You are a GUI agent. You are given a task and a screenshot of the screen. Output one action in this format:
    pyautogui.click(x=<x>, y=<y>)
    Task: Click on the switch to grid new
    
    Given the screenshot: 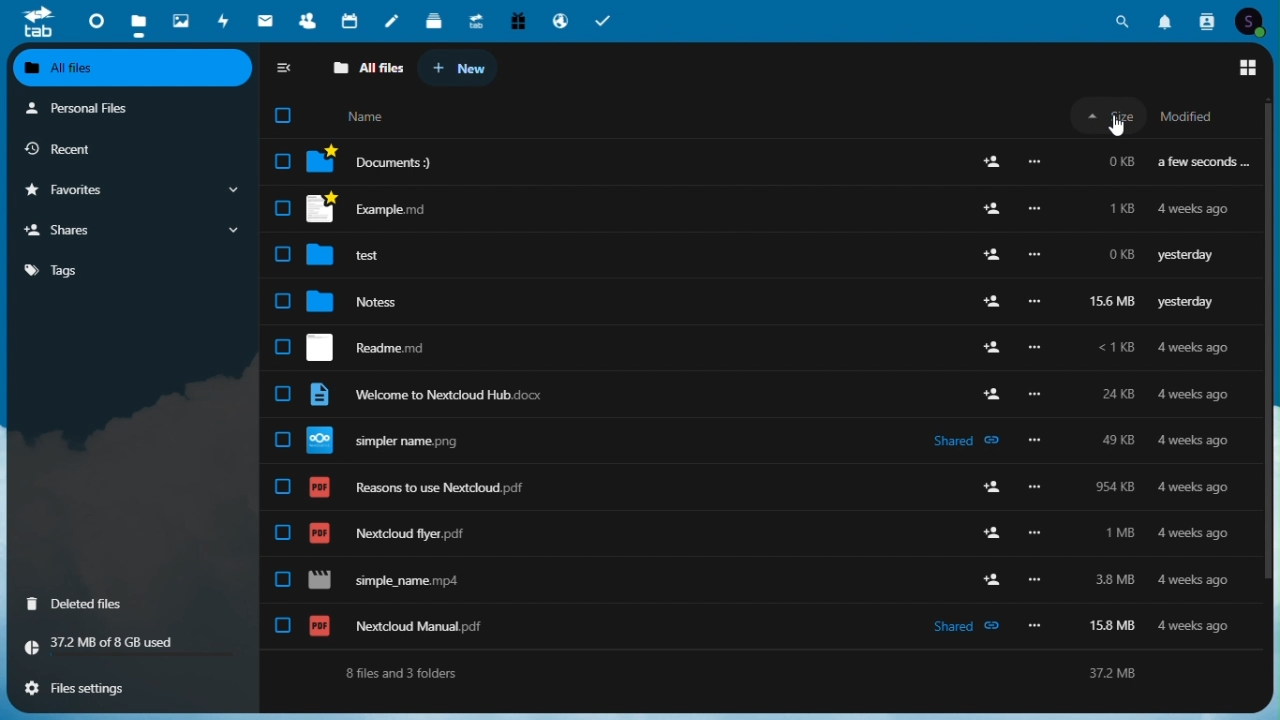 What is the action you would take?
    pyautogui.click(x=1250, y=68)
    